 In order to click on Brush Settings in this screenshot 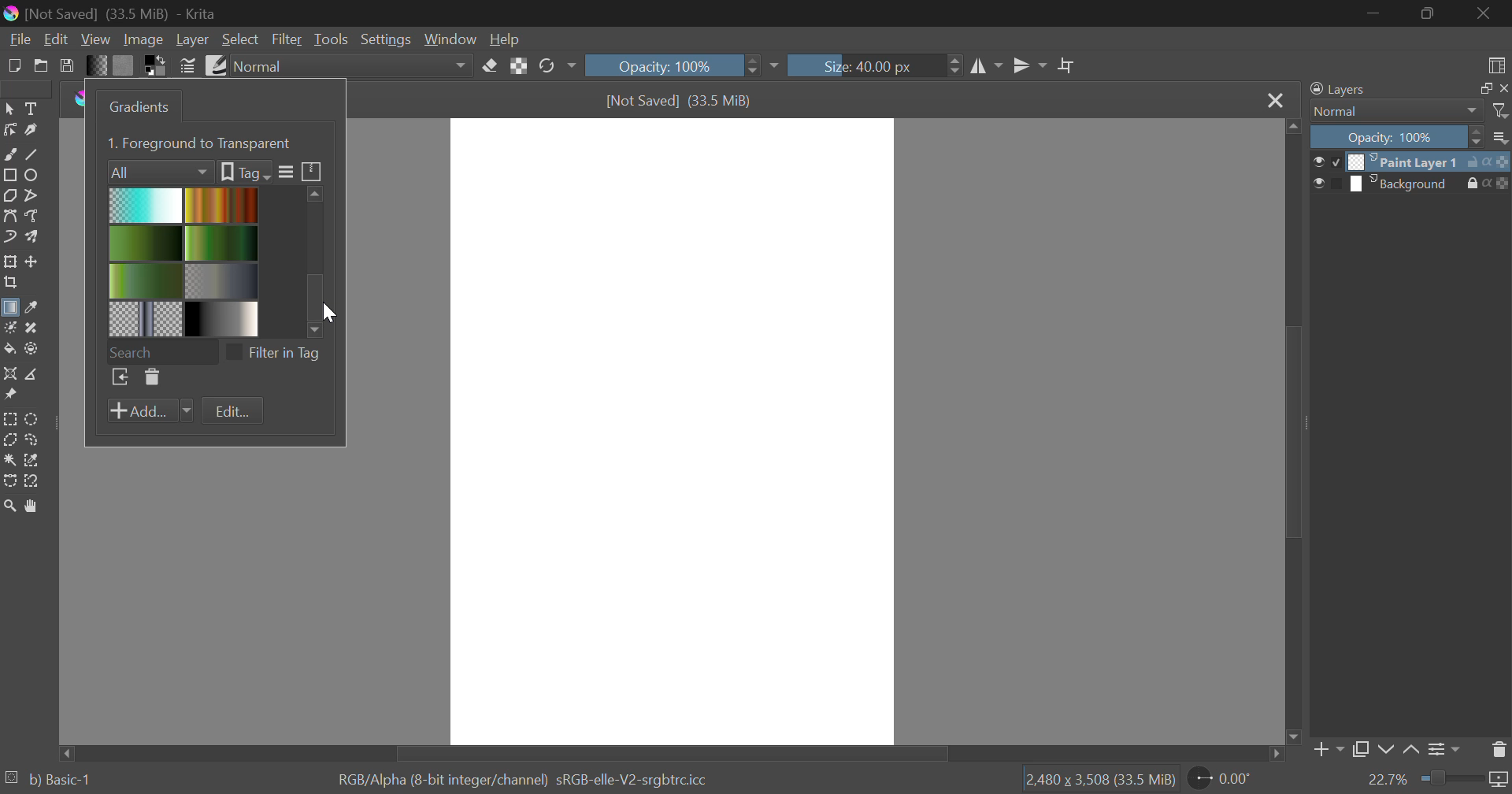, I will do `click(187, 65)`.